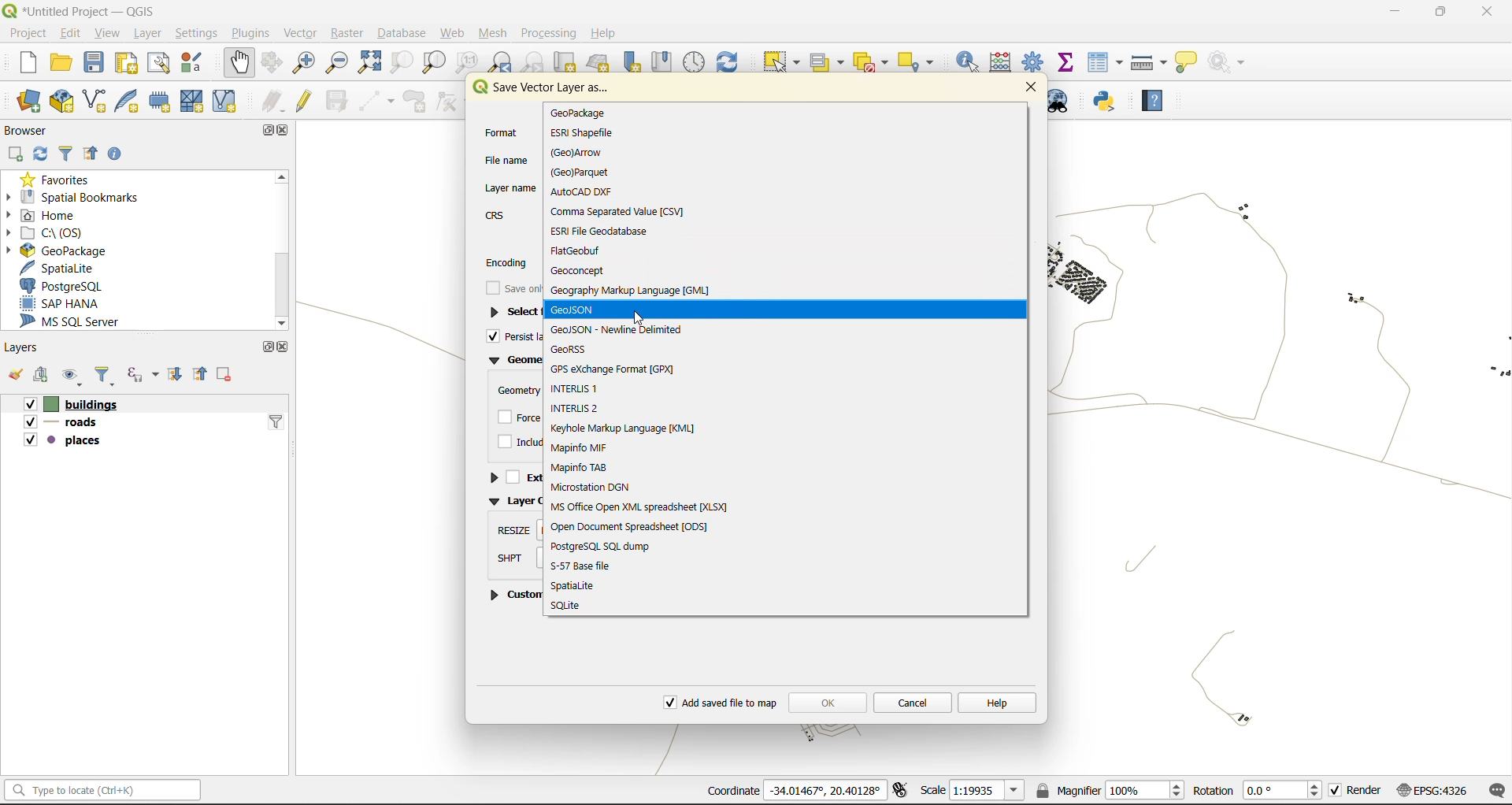  Describe the element at coordinates (454, 32) in the screenshot. I see `web` at that location.